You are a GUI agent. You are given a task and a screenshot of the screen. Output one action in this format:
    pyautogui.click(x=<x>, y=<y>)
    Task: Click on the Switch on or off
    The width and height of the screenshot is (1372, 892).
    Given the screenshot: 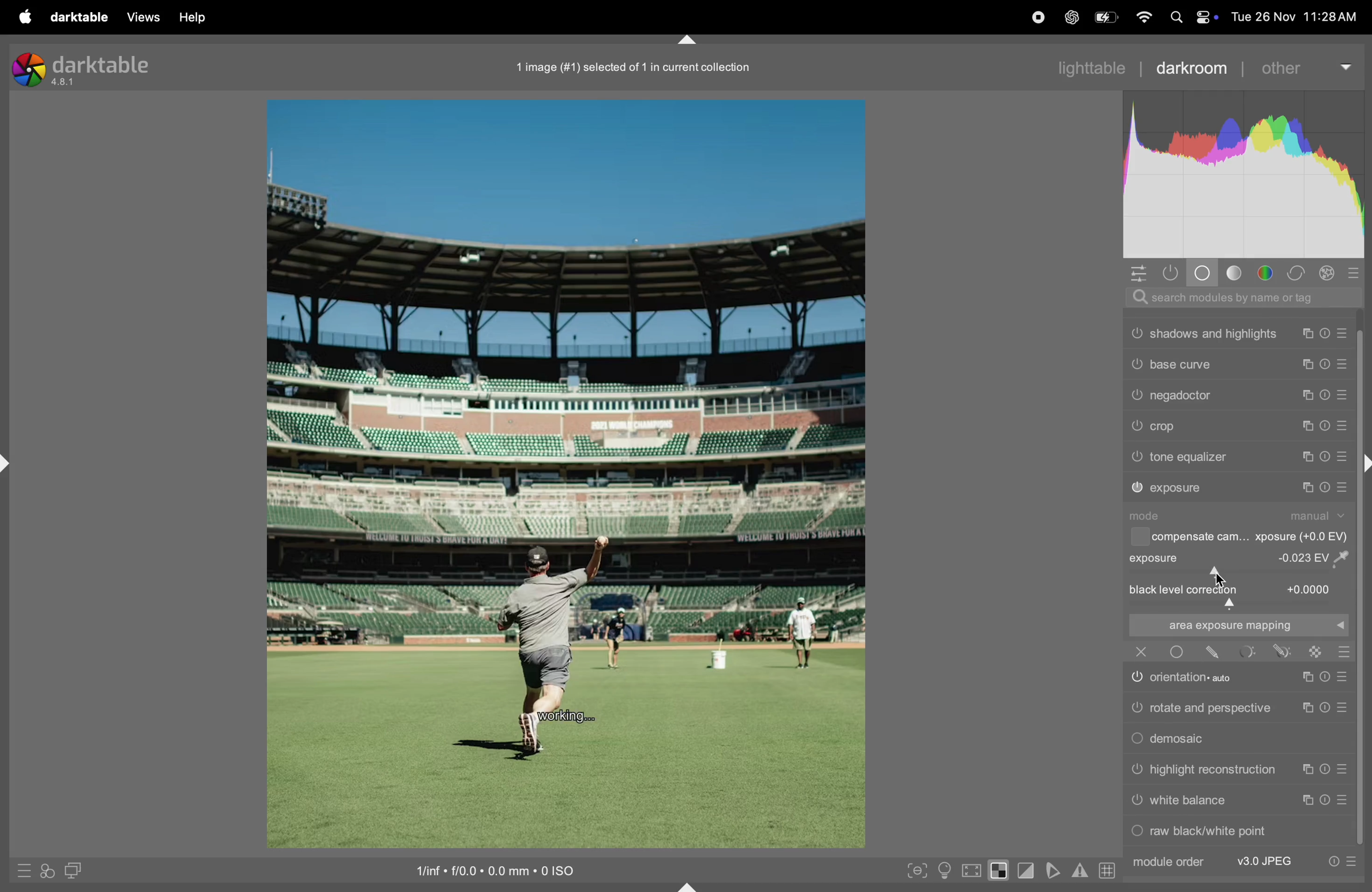 What is the action you would take?
    pyautogui.click(x=1136, y=740)
    